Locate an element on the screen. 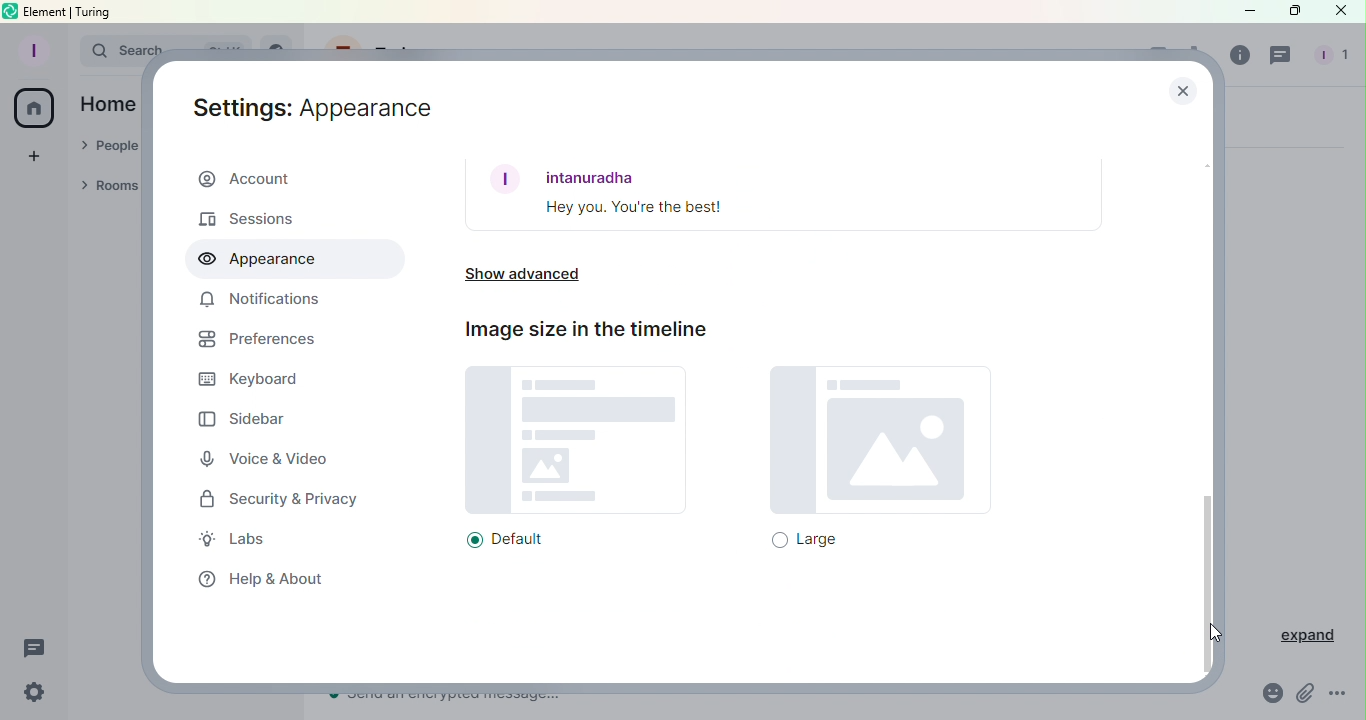 The height and width of the screenshot is (720, 1366). Close is located at coordinates (1341, 15).